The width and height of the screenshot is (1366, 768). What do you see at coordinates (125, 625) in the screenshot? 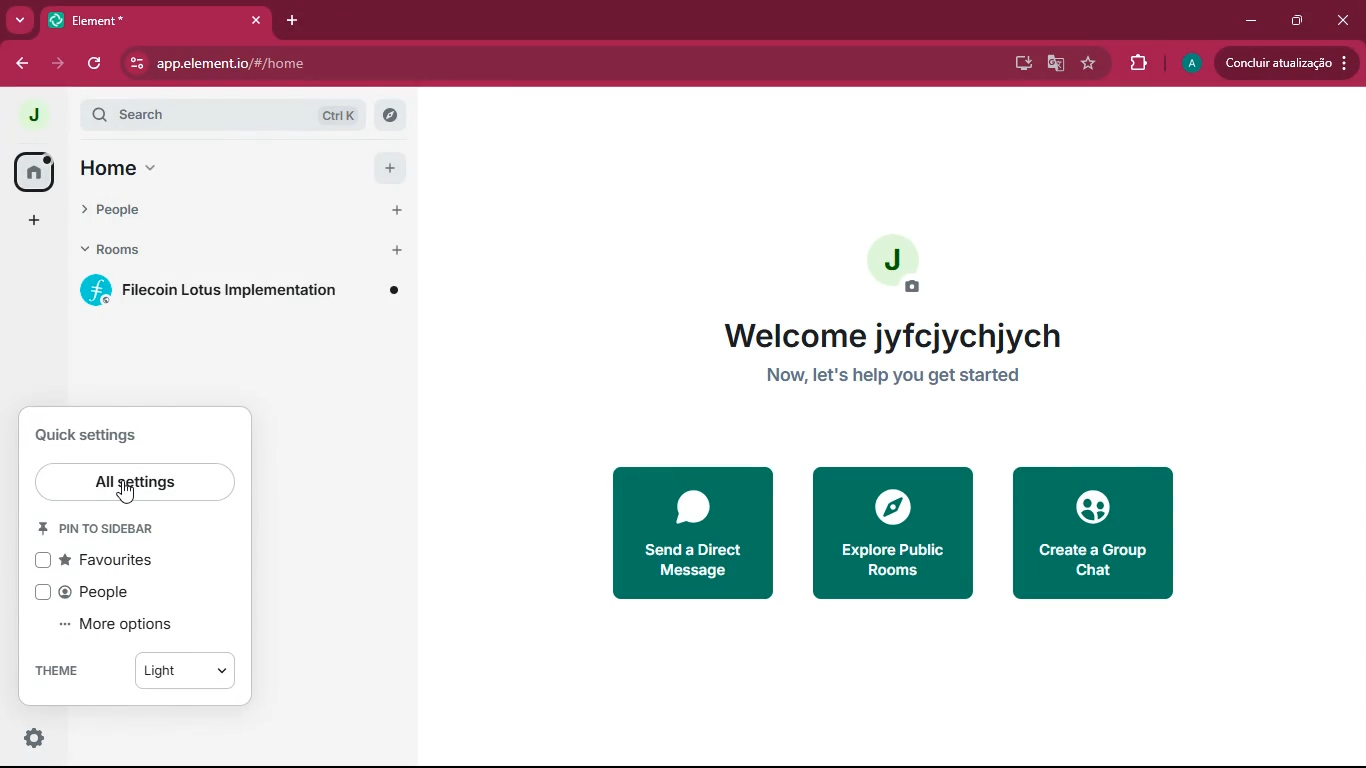
I see `more options` at bounding box center [125, 625].